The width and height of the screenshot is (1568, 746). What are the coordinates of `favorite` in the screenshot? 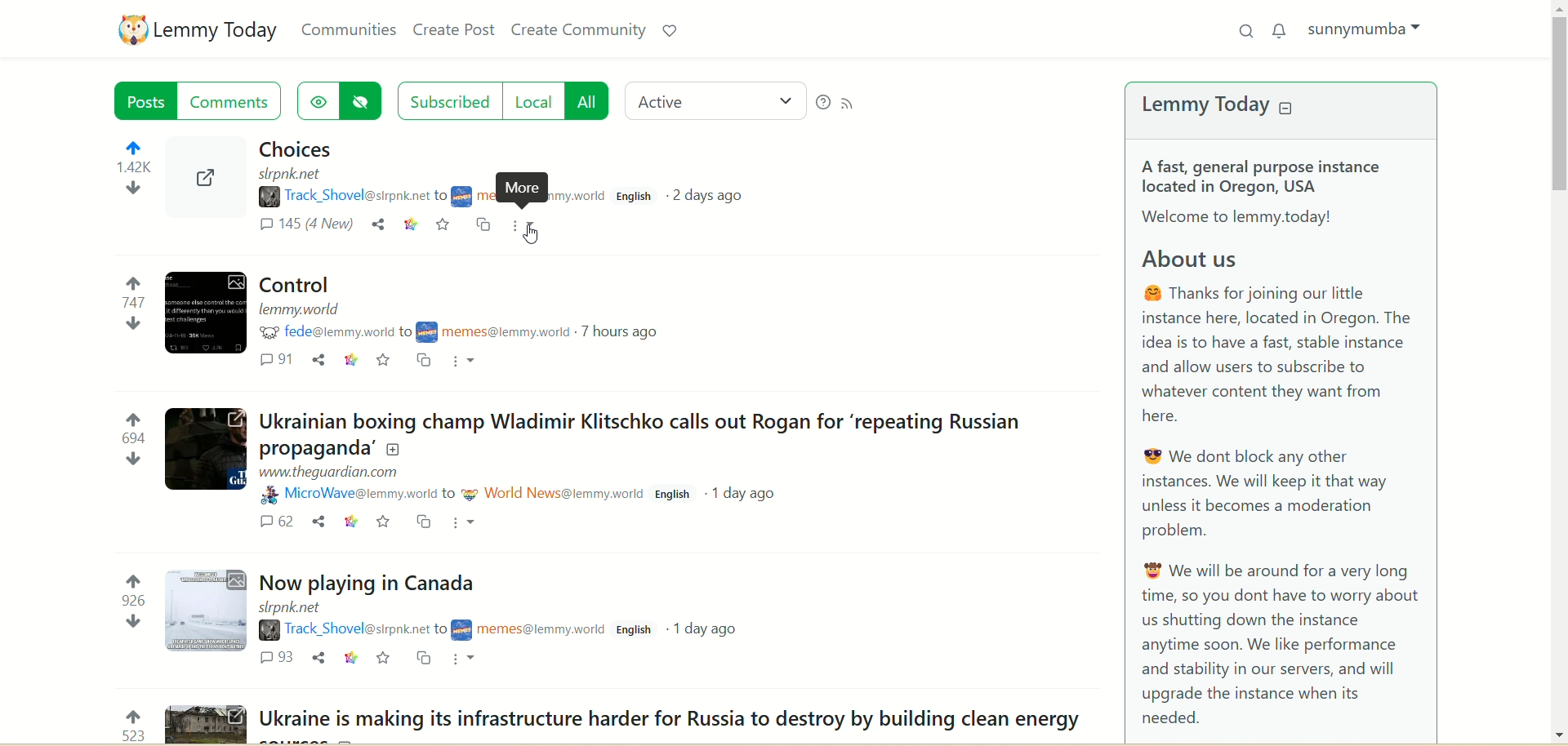 It's located at (385, 360).